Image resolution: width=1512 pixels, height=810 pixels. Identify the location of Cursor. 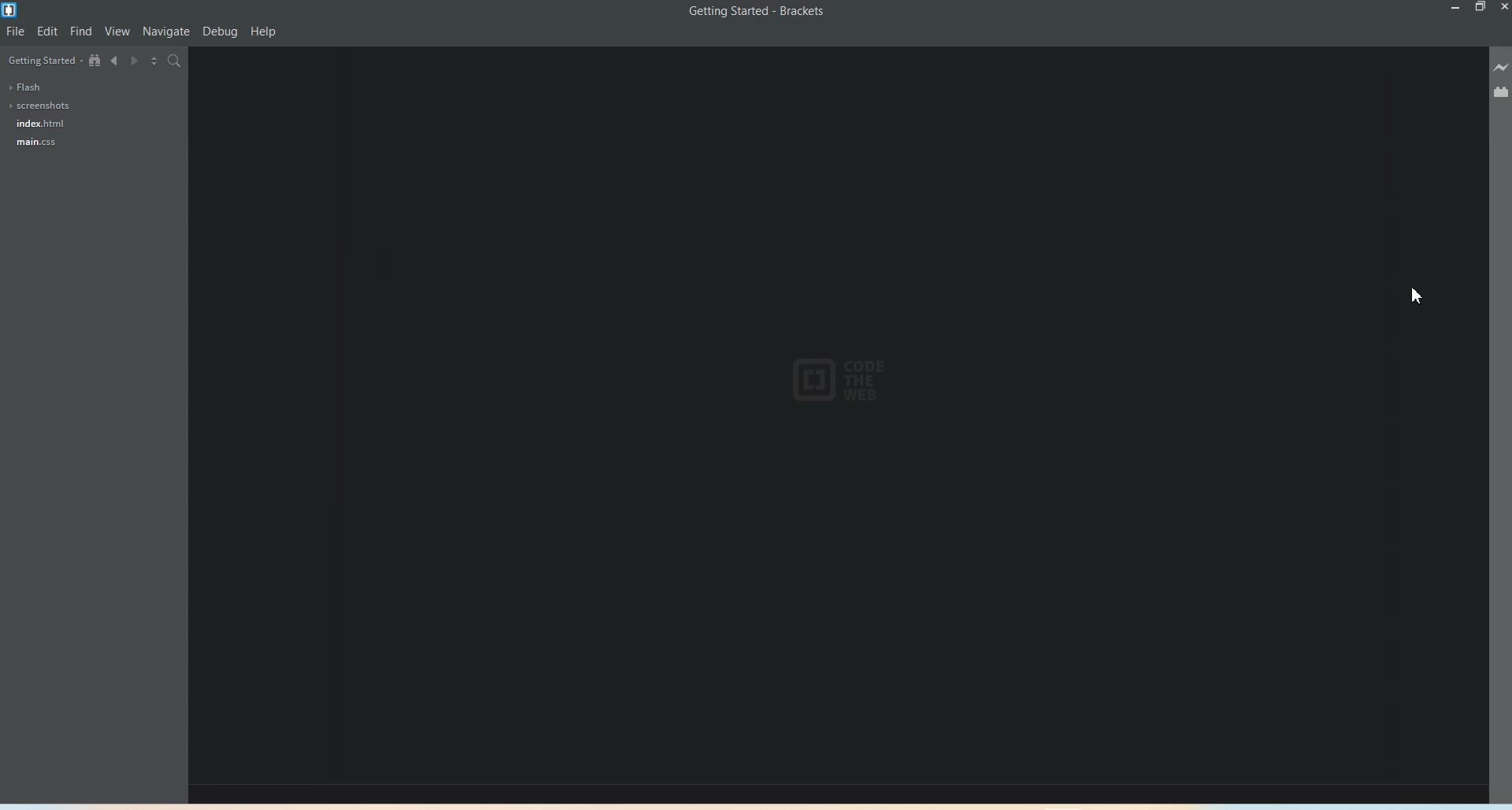
(1418, 297).